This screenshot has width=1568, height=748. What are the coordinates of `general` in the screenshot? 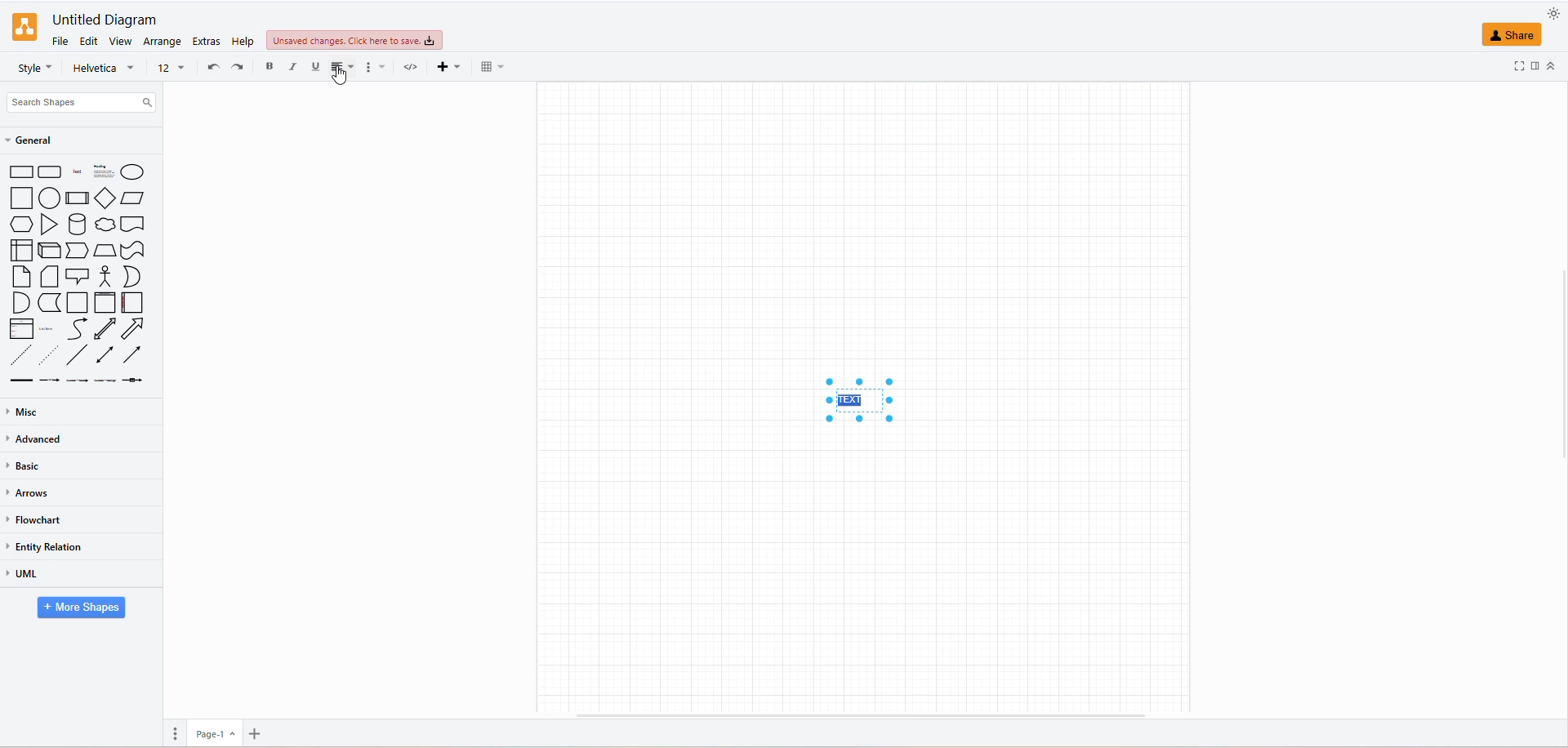 It's located at (42, 141).